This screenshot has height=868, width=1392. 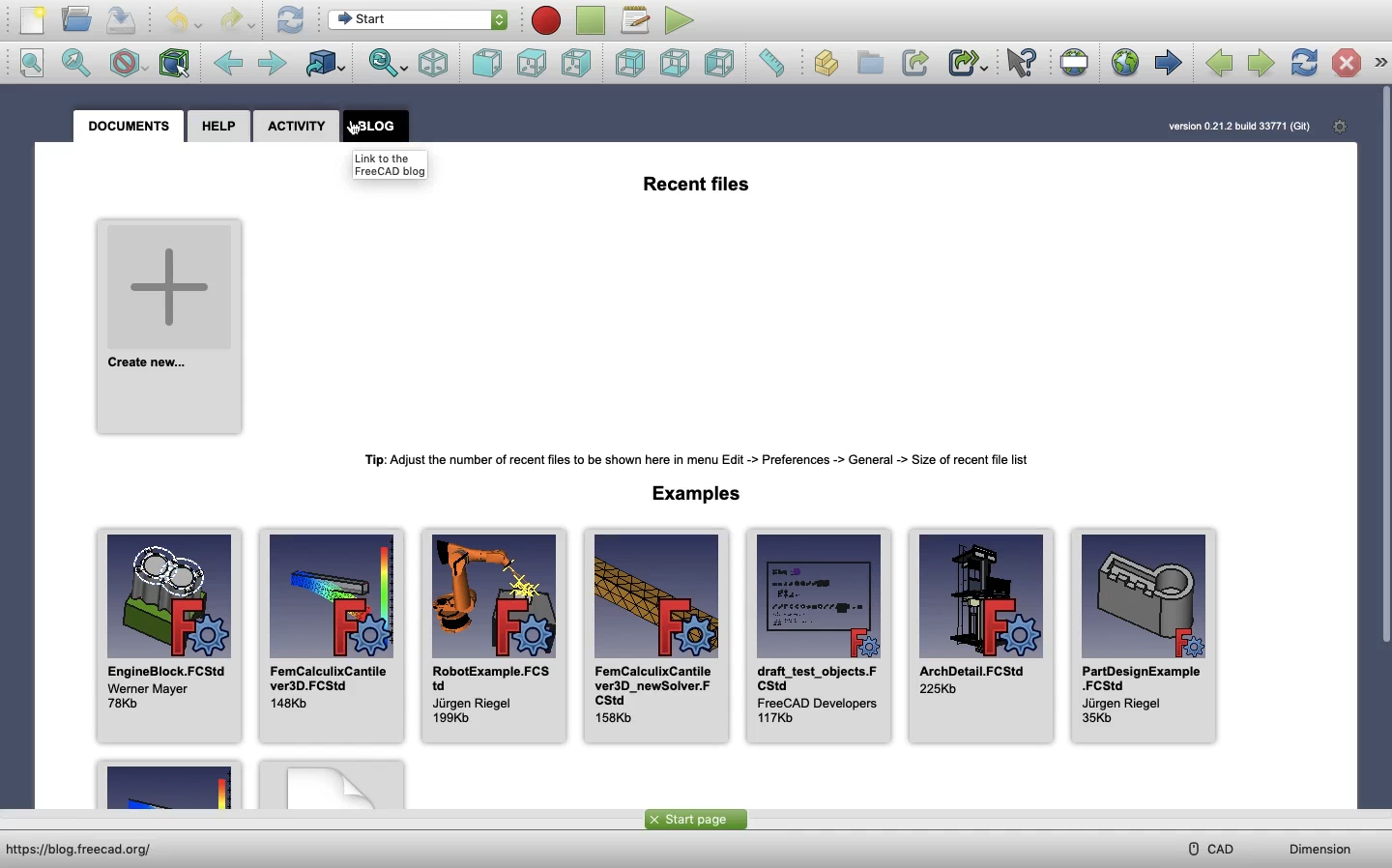 What do you see at coordinates (291, 21) in the screenshot?
I see `Refresh` at bounding box center [291, 21].